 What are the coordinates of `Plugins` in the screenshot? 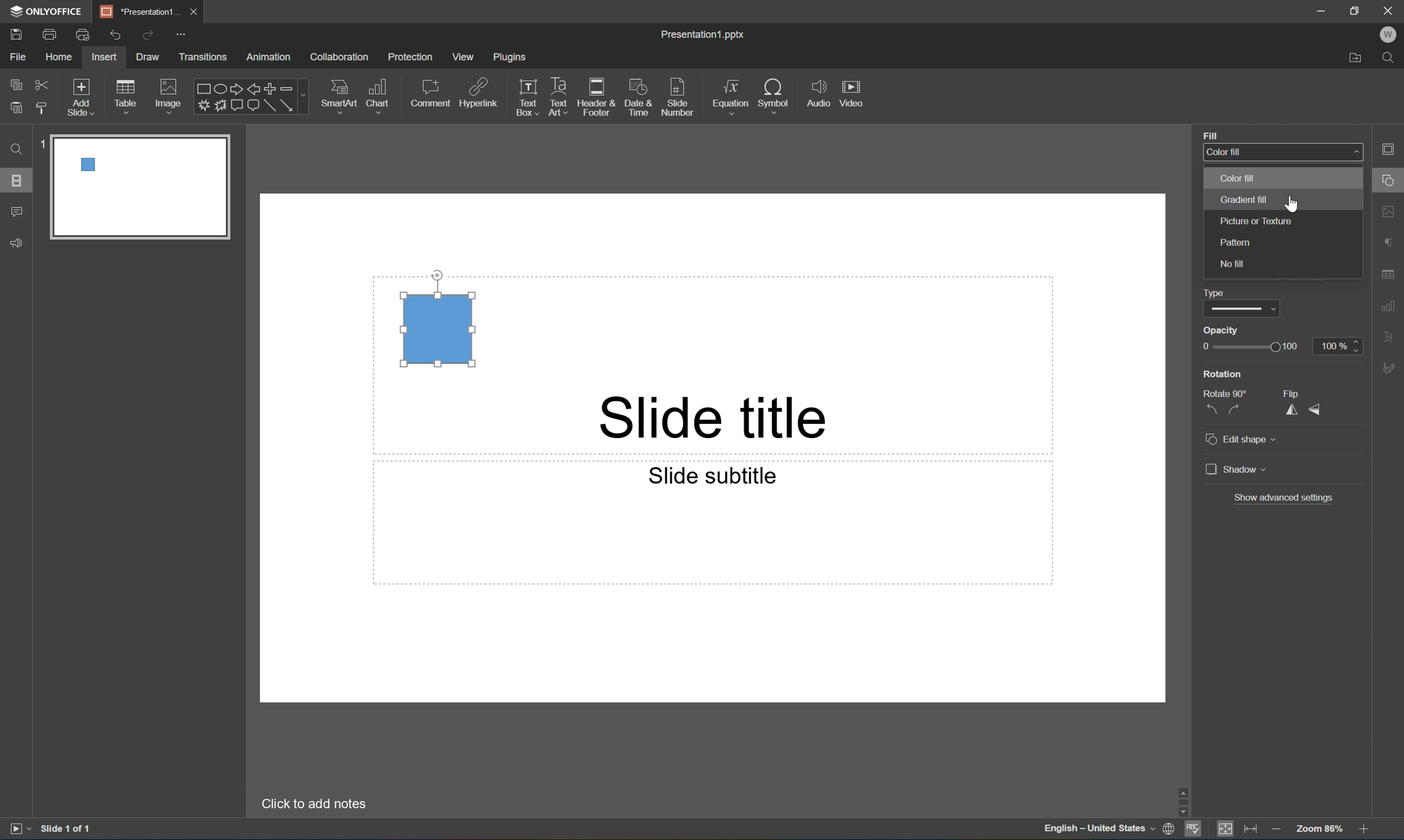 It's located at (510, 57).